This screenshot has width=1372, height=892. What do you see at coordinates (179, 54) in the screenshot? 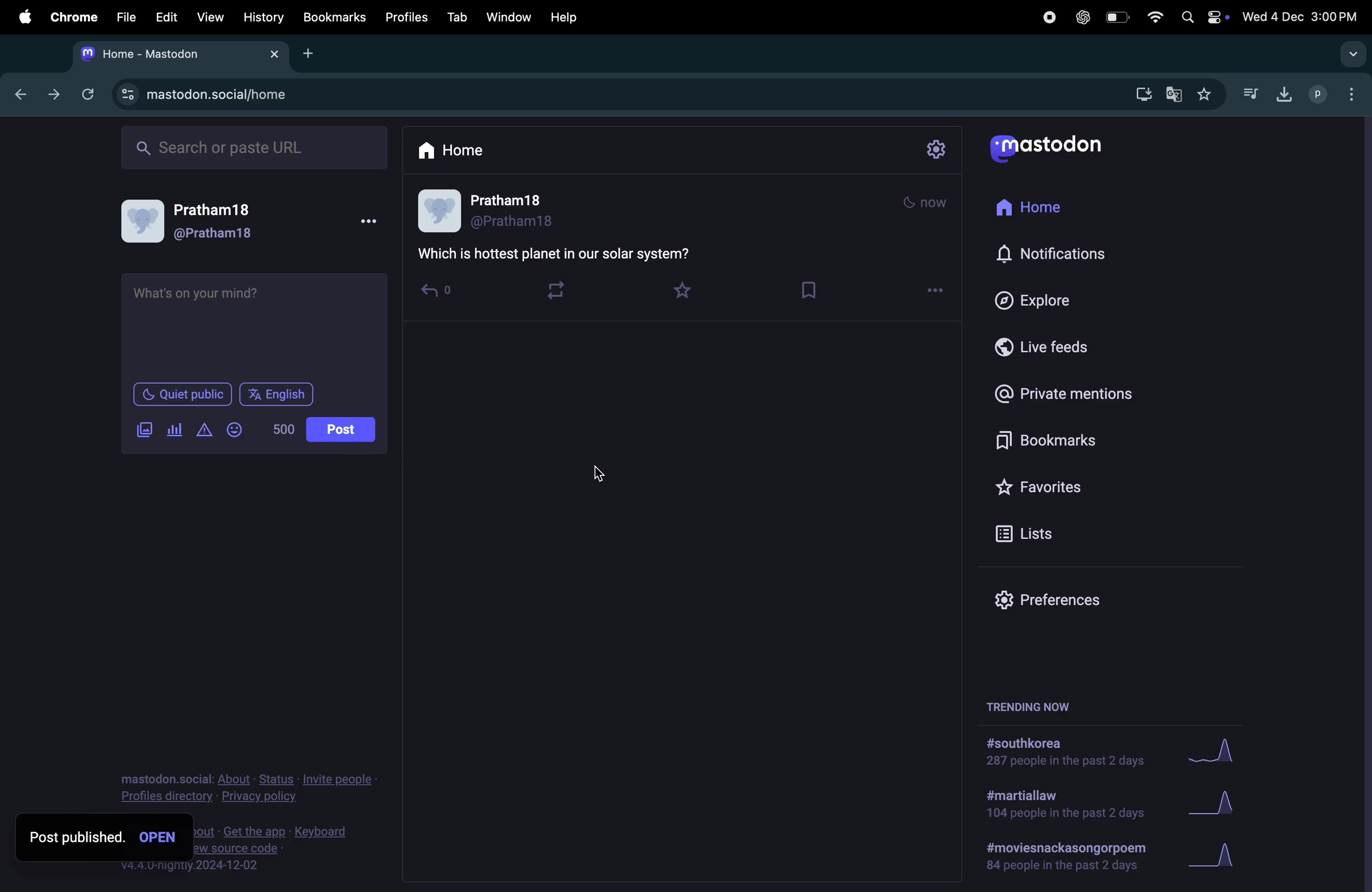
I see `mastodon home` at bounding box center [179, 54].